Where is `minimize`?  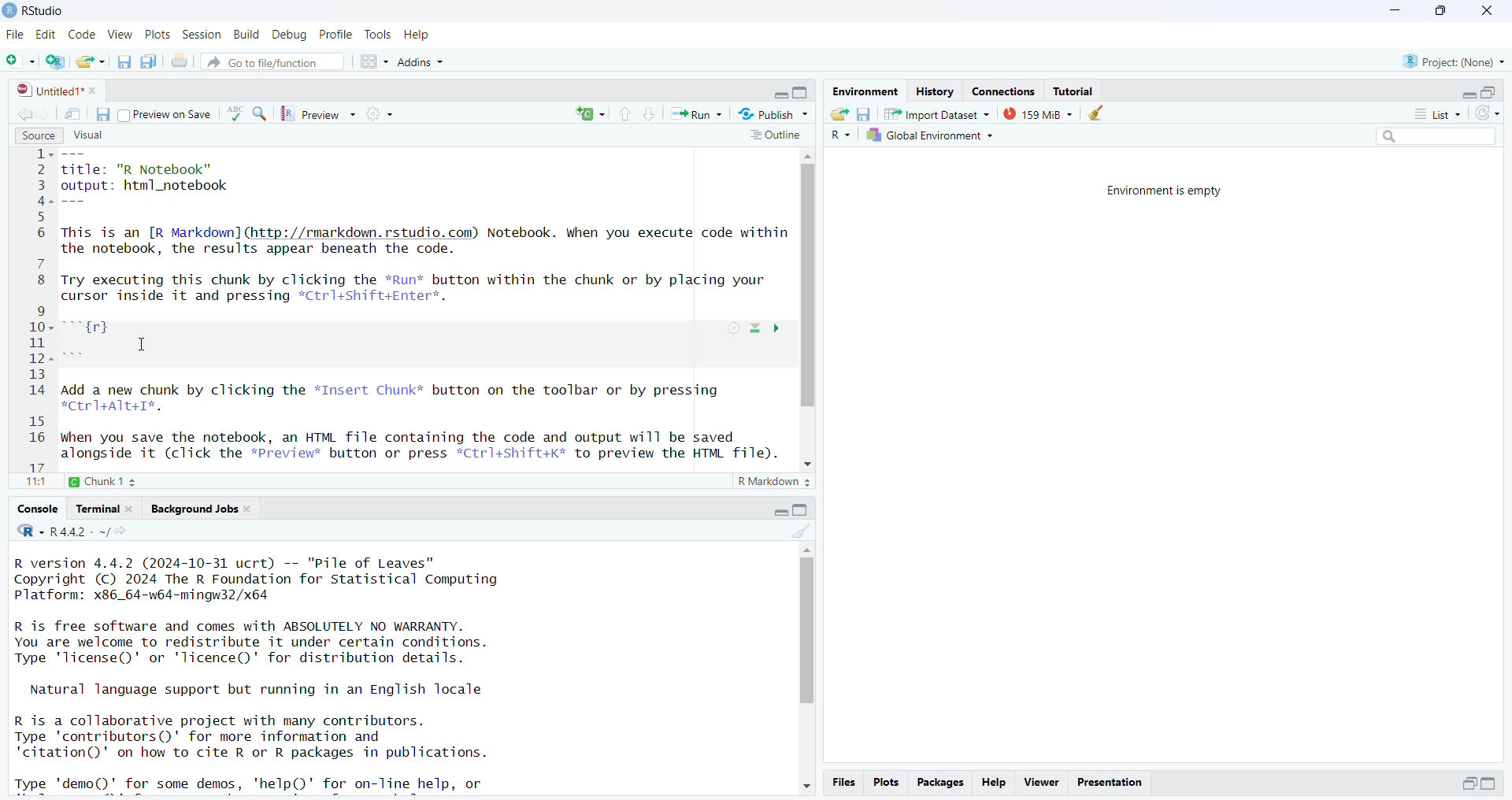
minimize is located at coordinates (1395, 12).